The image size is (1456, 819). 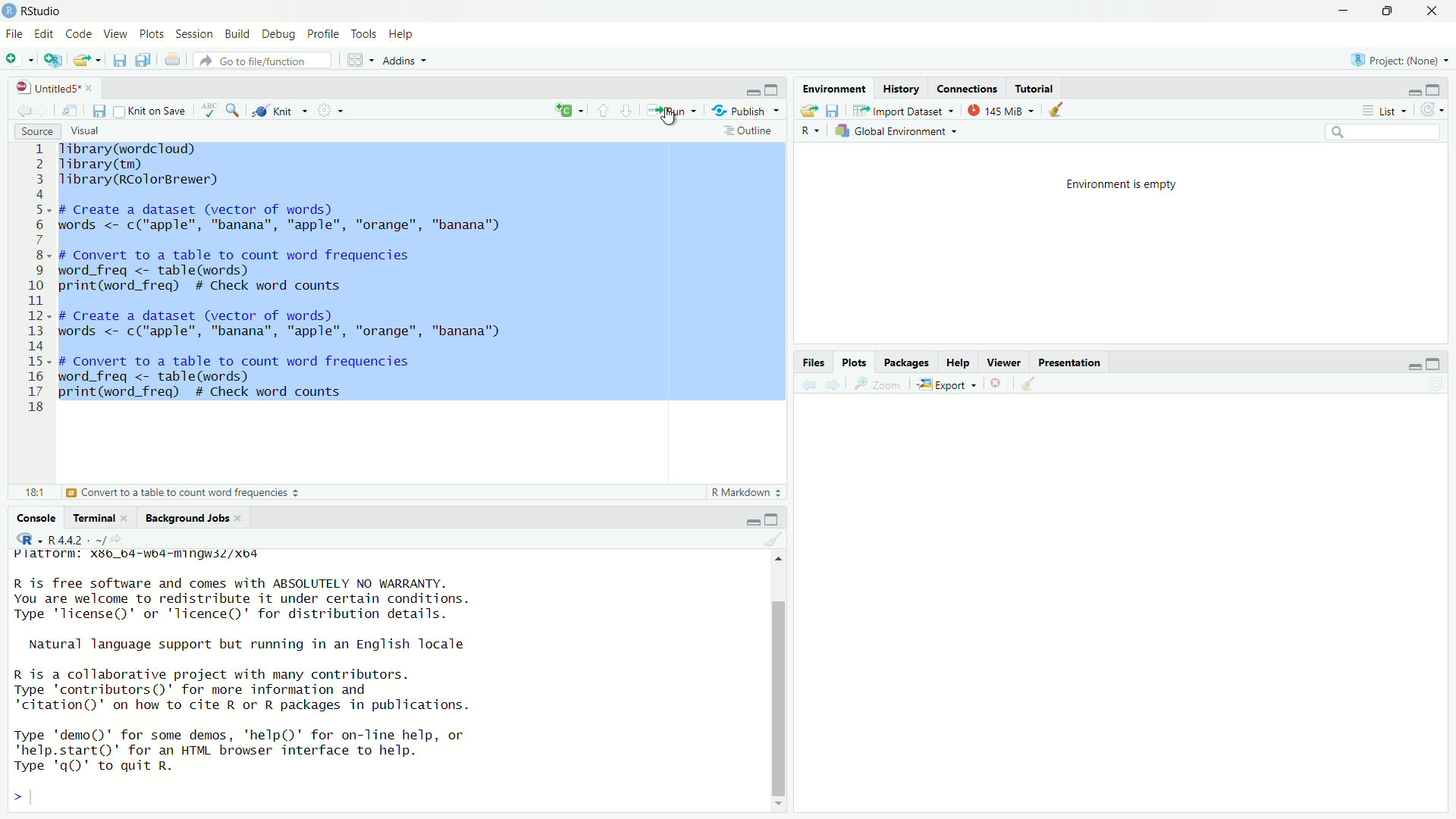 I want to click on 145 MiB , so click(x=1002, y=113).